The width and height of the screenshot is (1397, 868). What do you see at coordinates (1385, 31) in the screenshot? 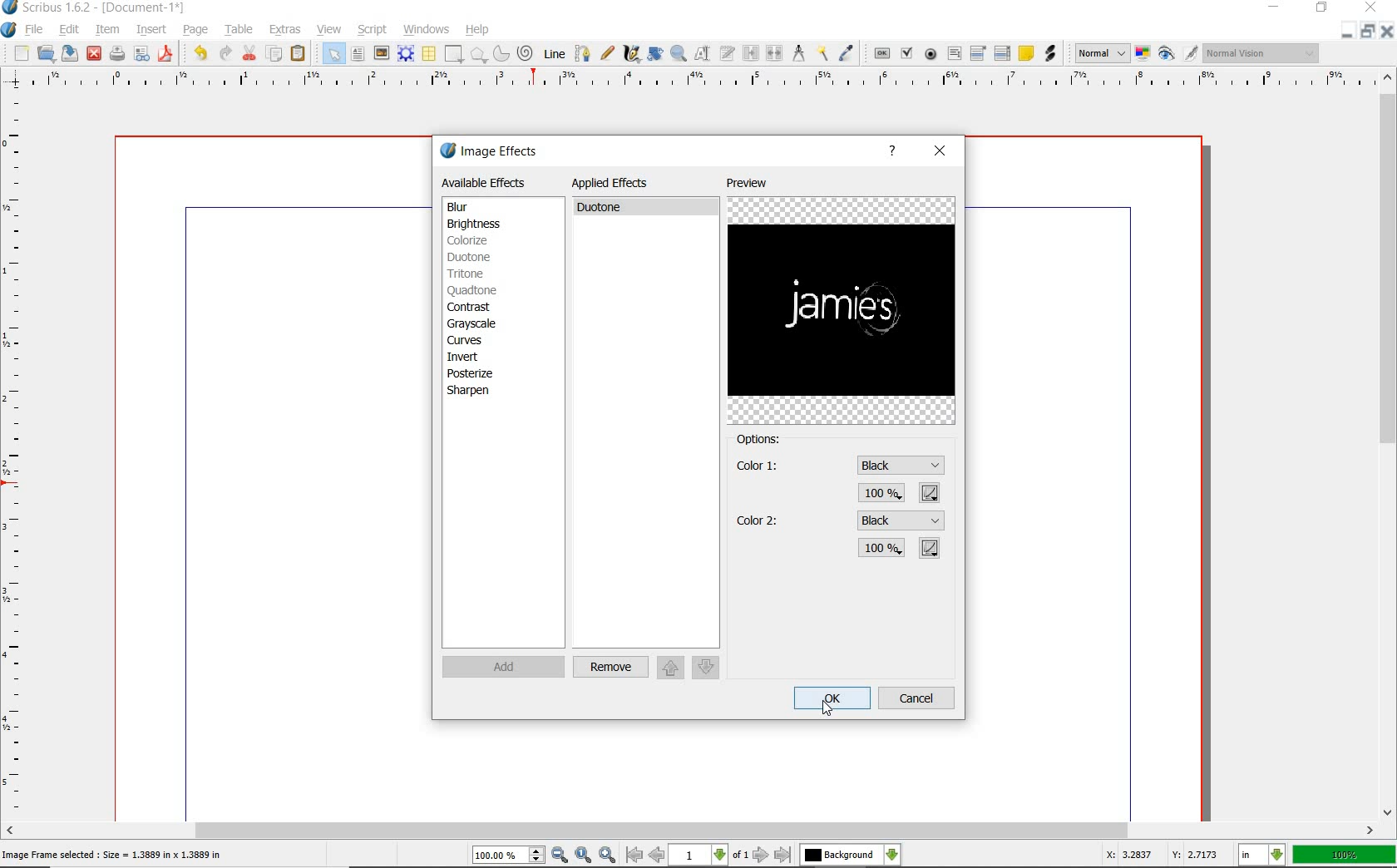
I see `CLOSE` at bounding box center [1385, 31].